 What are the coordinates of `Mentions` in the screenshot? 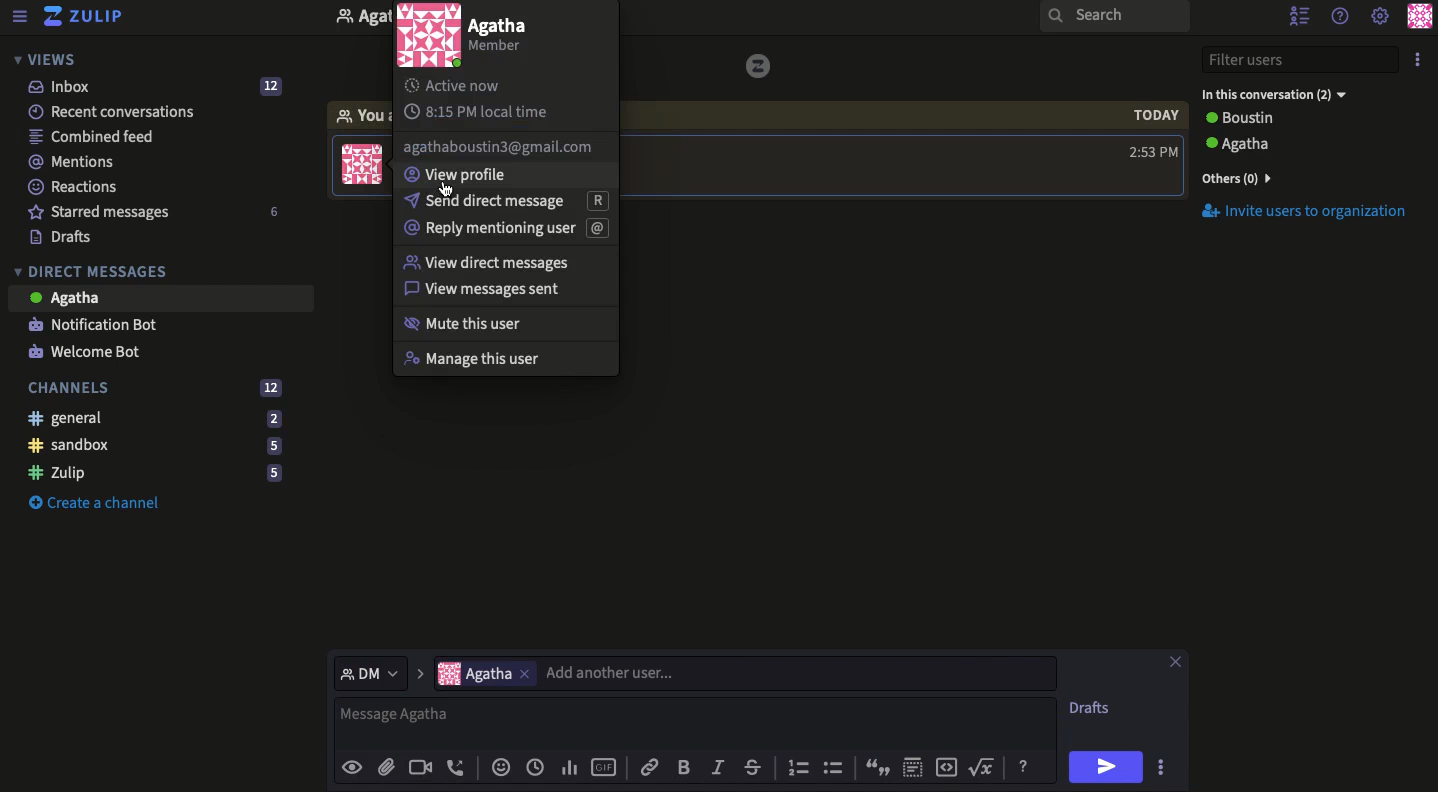 It's located at (77, 163).